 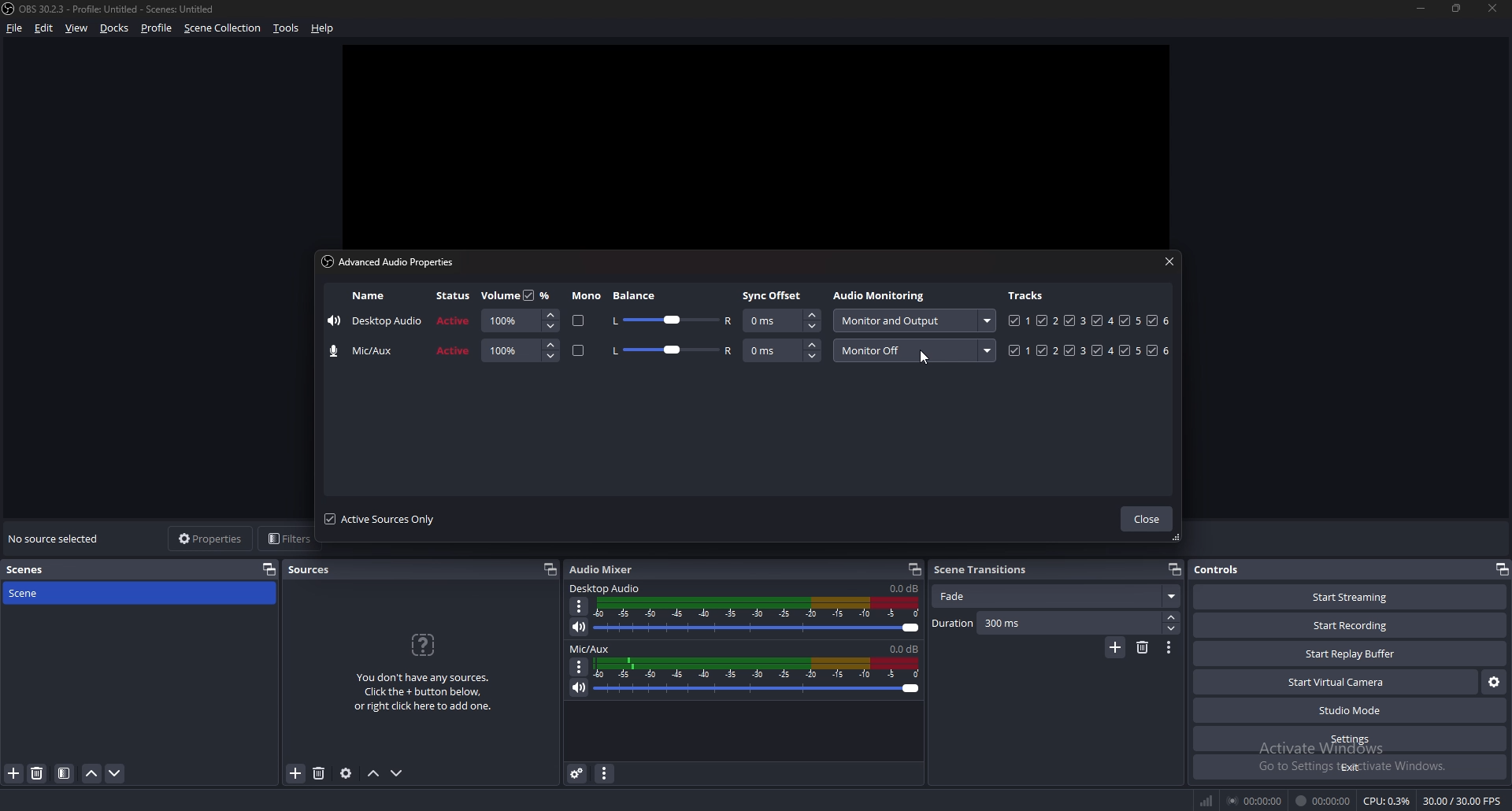 What do you see at coordinates (1028, 295) in the screenshot?
I see `tracks` at bounding box center [1028, 295].